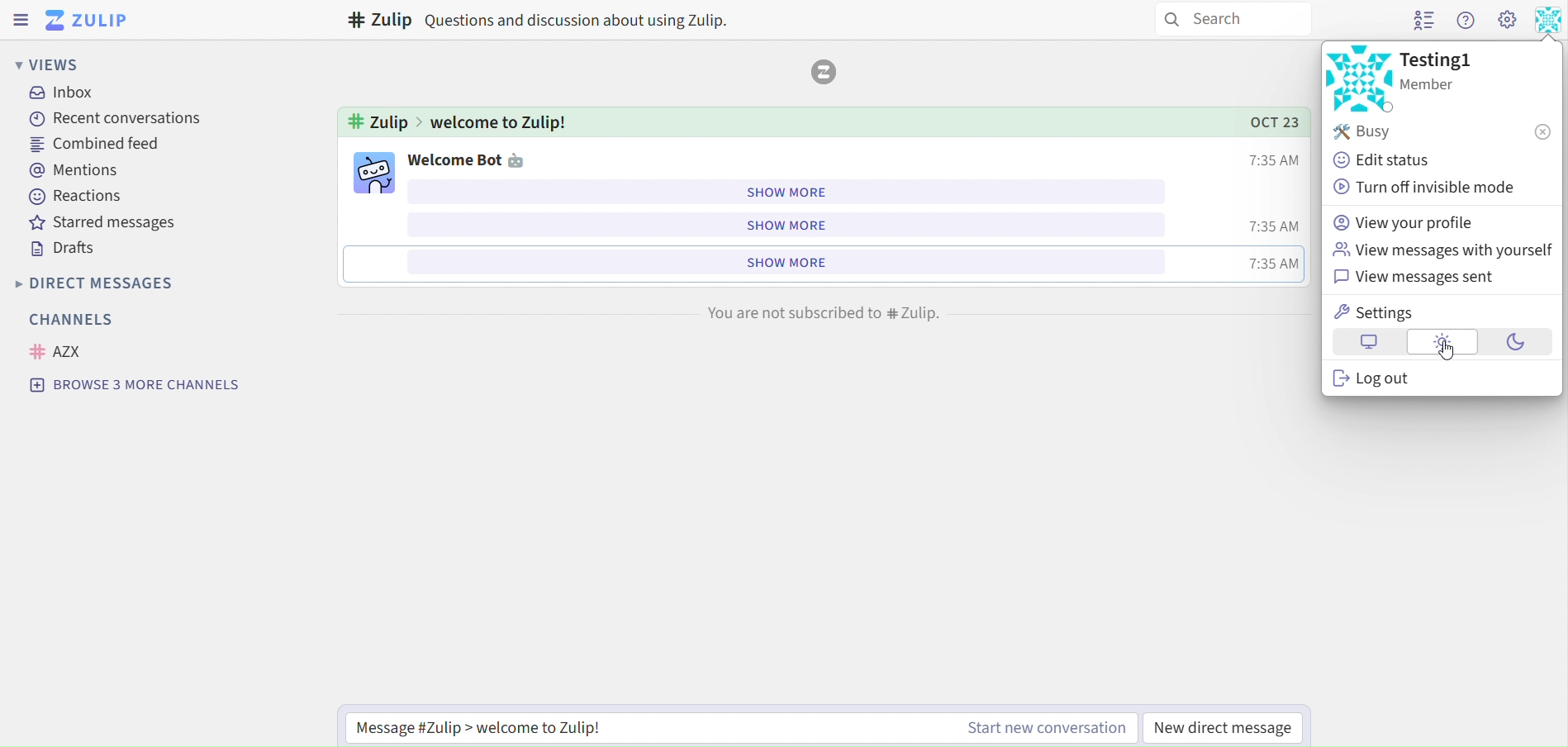 This screenshot has height=747, width=1568. Describe the element at coordinates (1366, 343) in the screenshot. I see `default theme` at that location.